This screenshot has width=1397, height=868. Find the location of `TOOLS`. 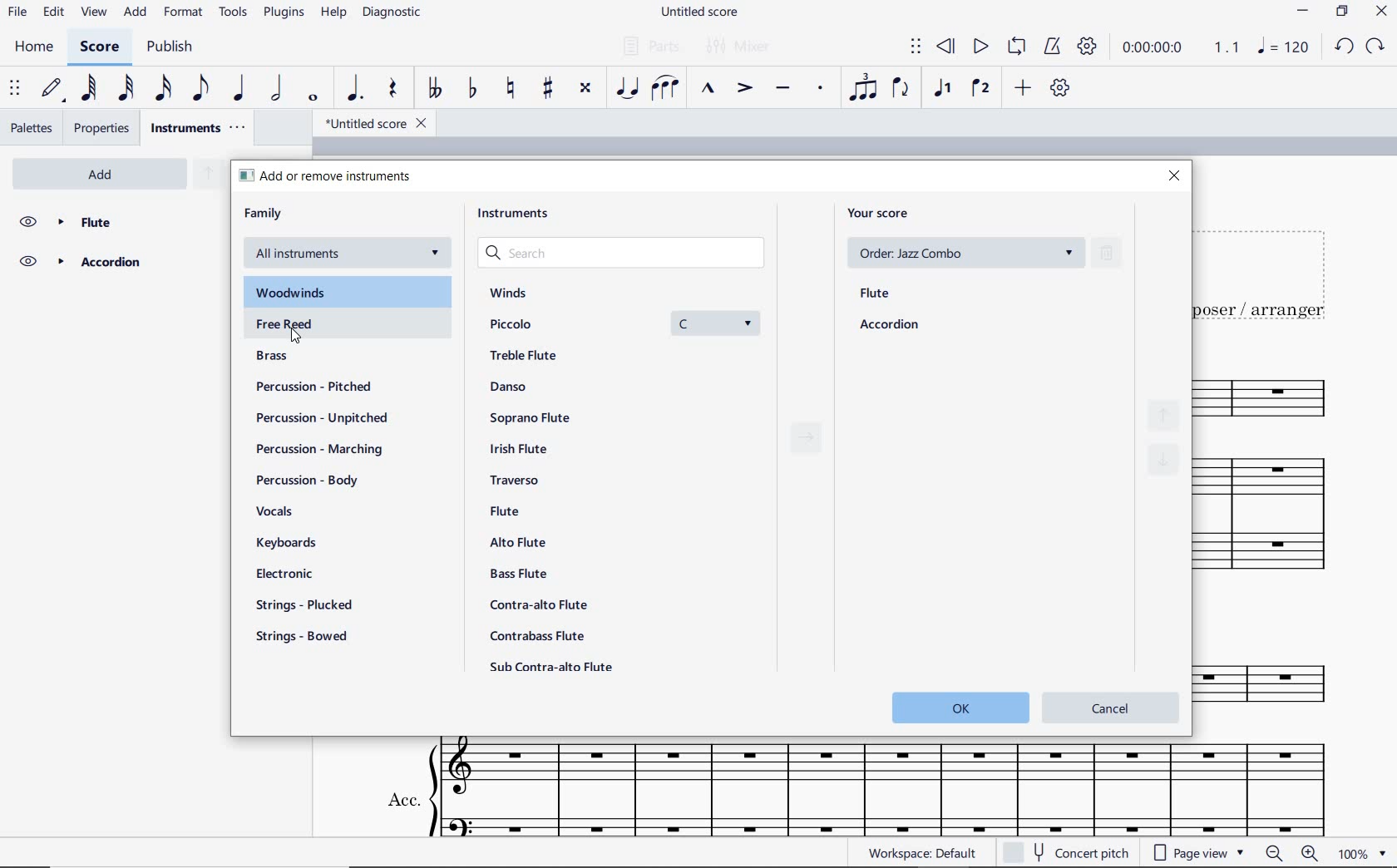

TOOLS is located at coordinates (234, 12).